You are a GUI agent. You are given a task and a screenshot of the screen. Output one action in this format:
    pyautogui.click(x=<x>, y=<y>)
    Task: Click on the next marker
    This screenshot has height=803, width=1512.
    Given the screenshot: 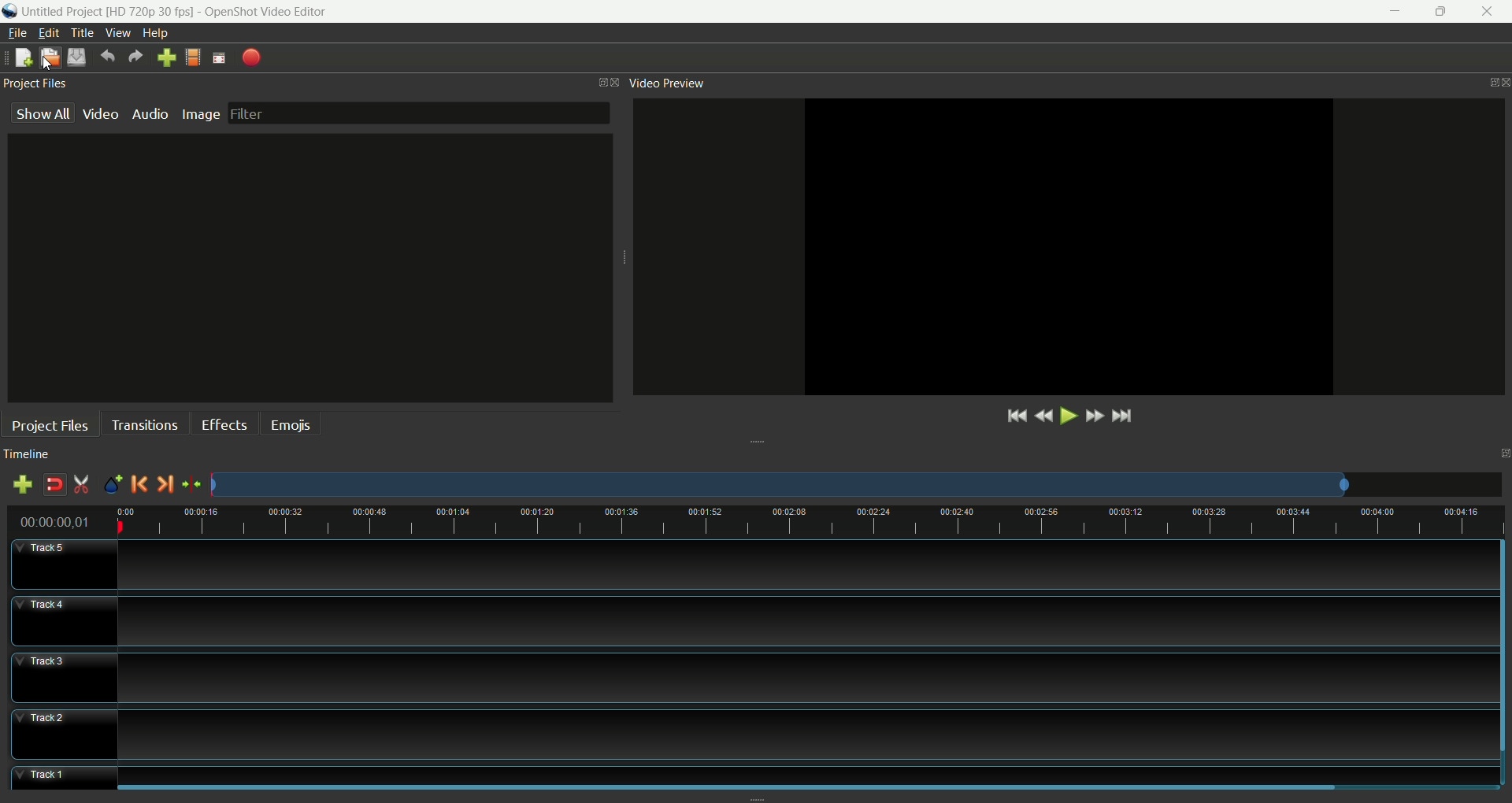 What is the action you would take?
    pyautogui.click(x=164, y=484)
    